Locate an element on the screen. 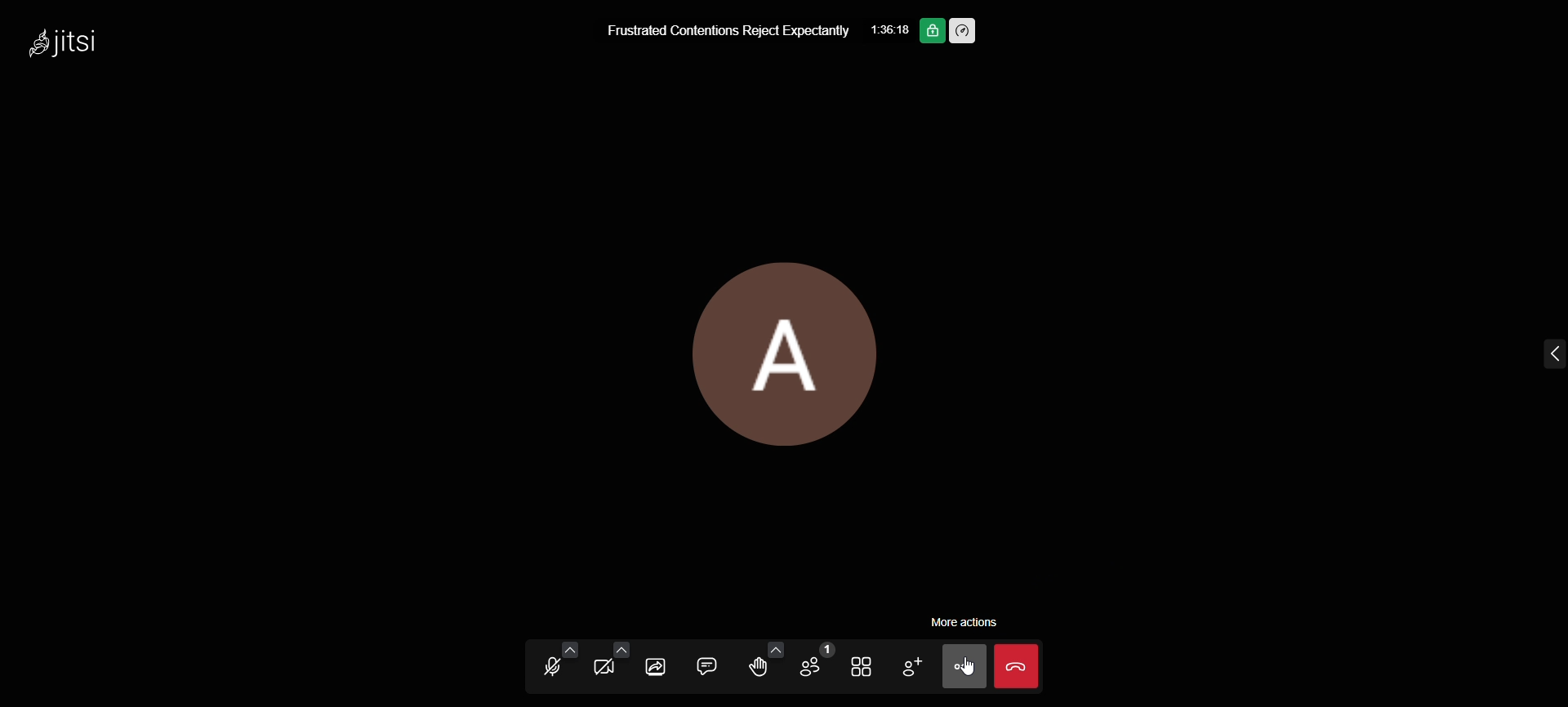 The height and width of the screenshot is (707, 1568). raise your hand is located at coordinates (757, 670).